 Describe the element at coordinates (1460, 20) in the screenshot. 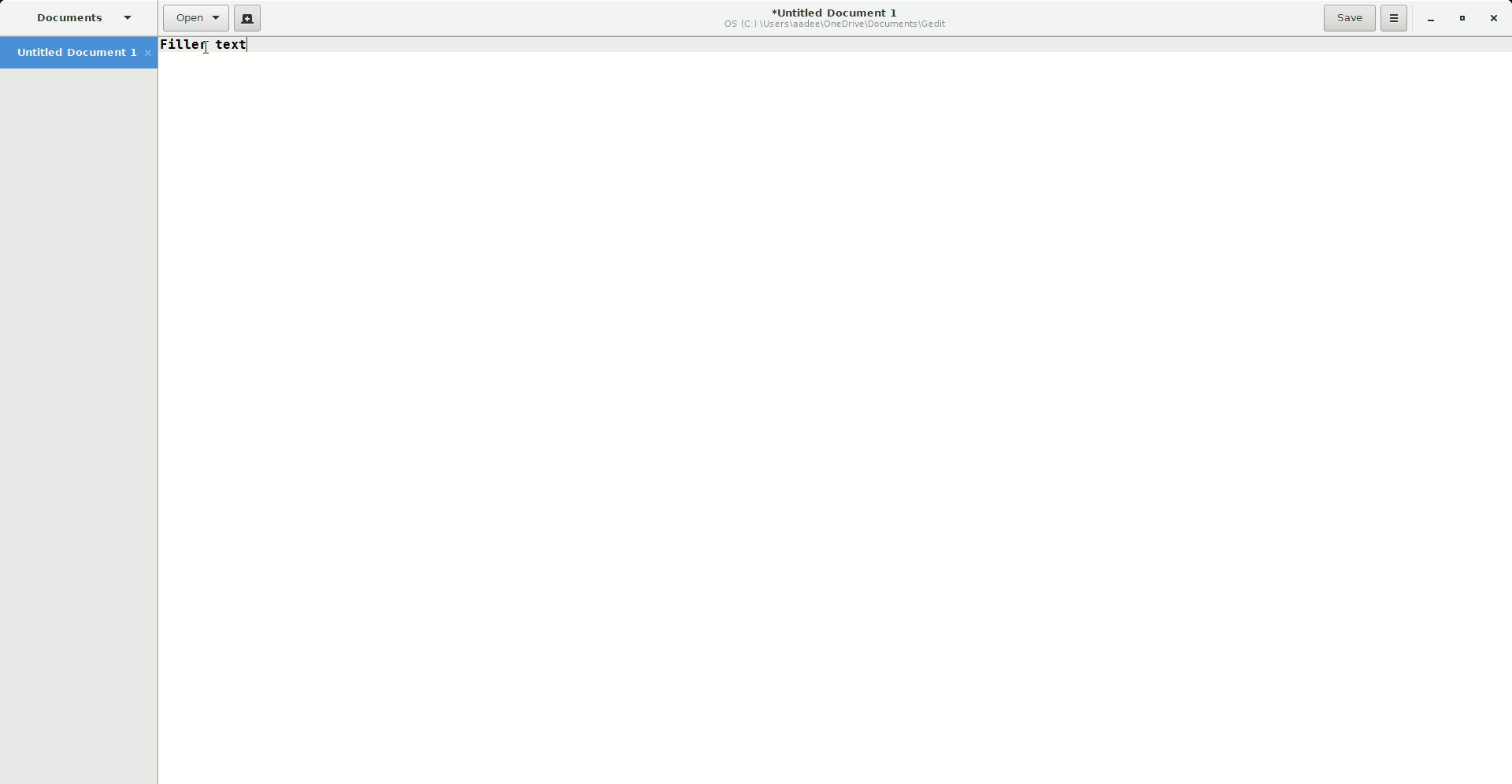

I see `Restore` at that location.